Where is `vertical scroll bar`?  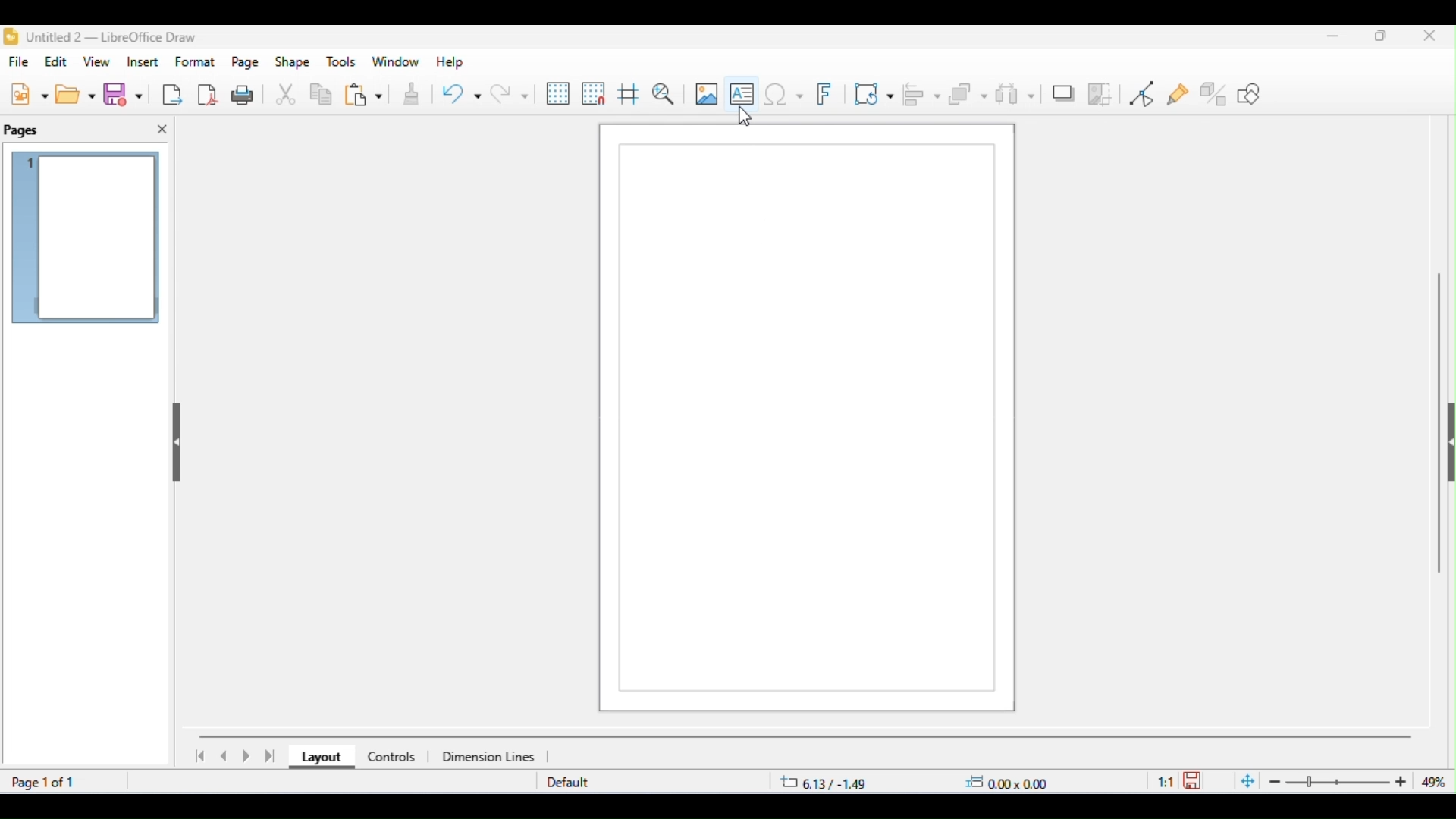 vertical scroll bar is located at coordinates (1439, 417).